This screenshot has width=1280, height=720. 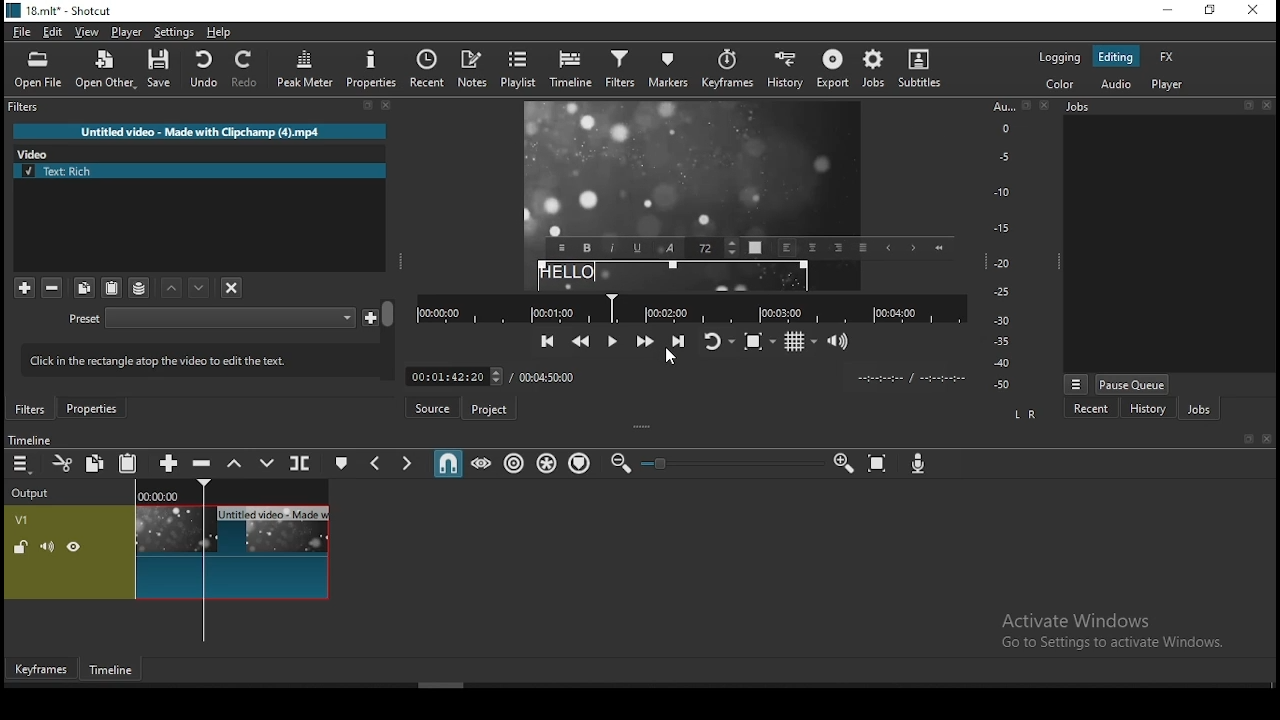 What do you see at coordinates (200, 131) in the screenshot?
I see `Untitled video - Made with Clipchamp (4).mp4` at bounding box center [200, 131].